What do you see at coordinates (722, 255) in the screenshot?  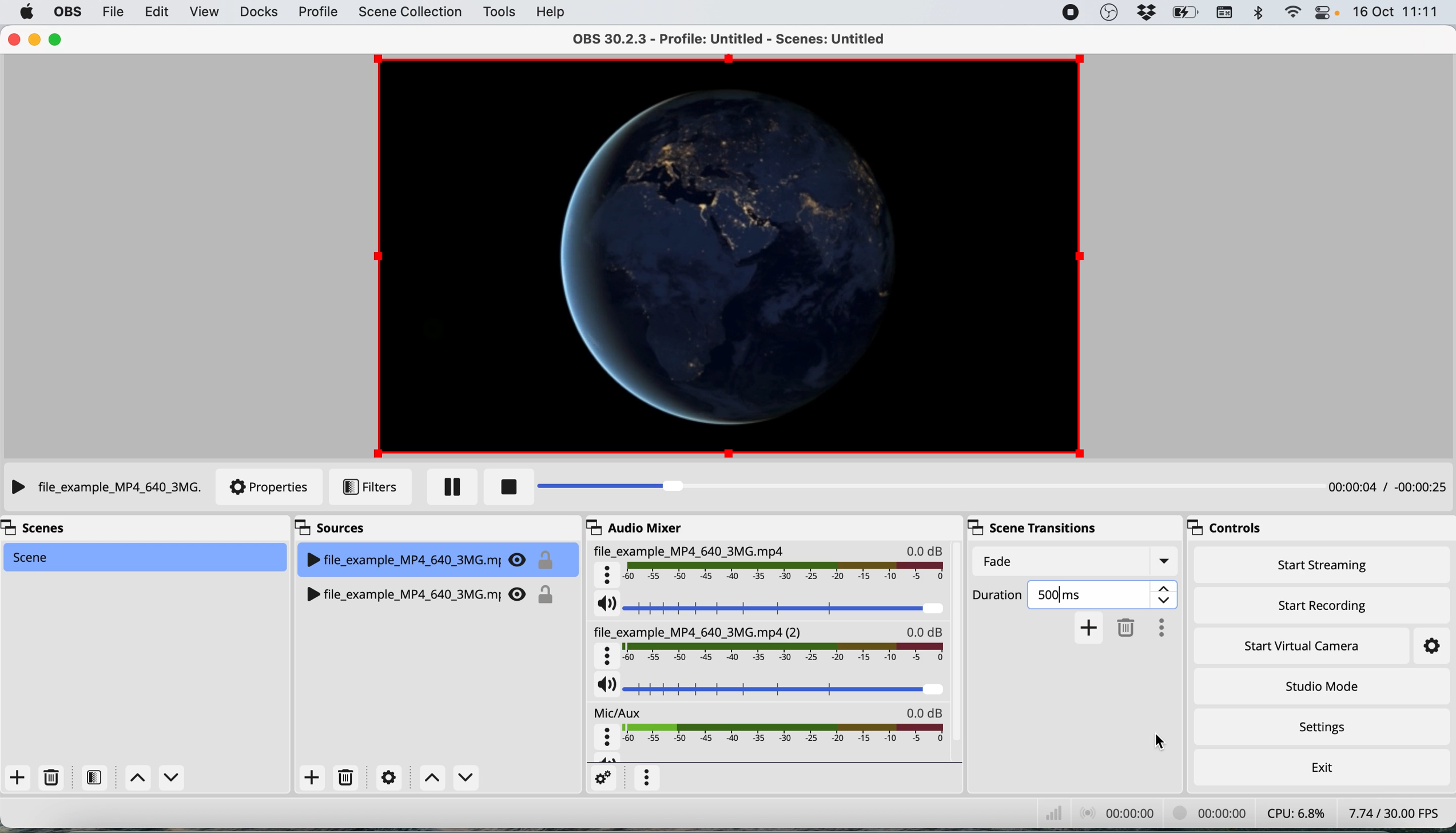 I see `current source` at bounding box center [722, 255].